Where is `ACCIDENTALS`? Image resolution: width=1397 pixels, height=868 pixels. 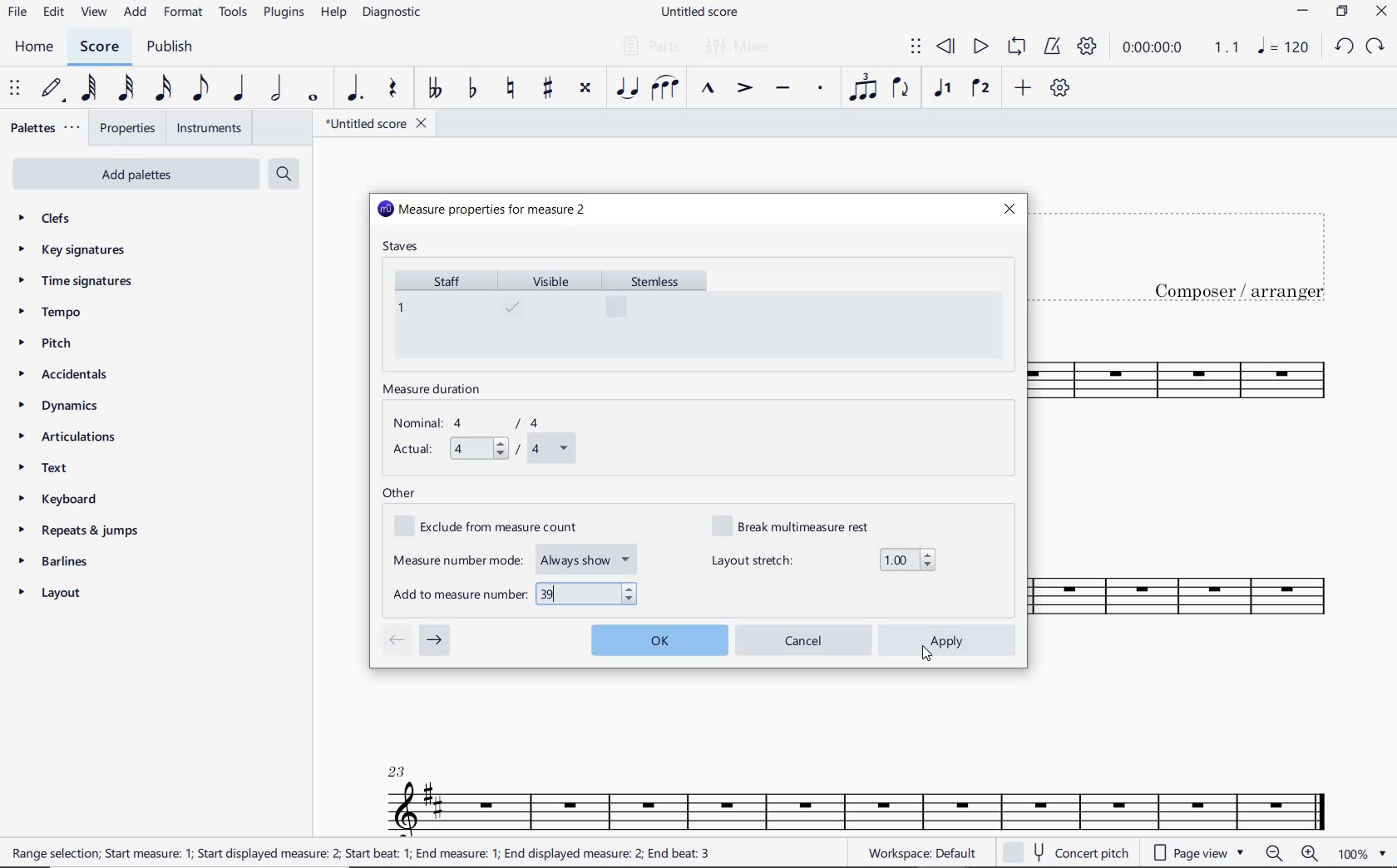 ACCIDENTALS is located at coordinates (71, 374).